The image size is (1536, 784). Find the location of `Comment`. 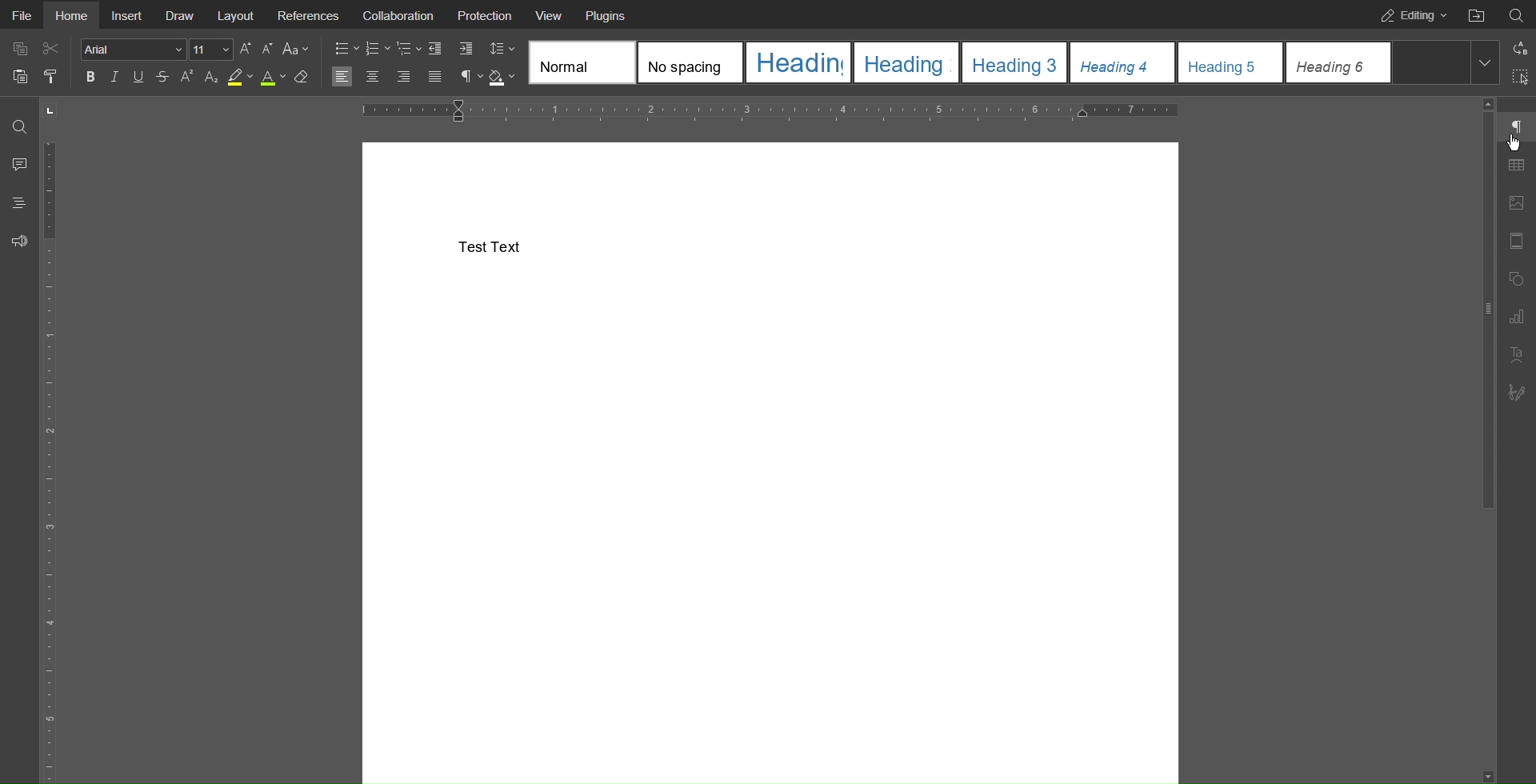

Comment is located at coordinates (18, 164).